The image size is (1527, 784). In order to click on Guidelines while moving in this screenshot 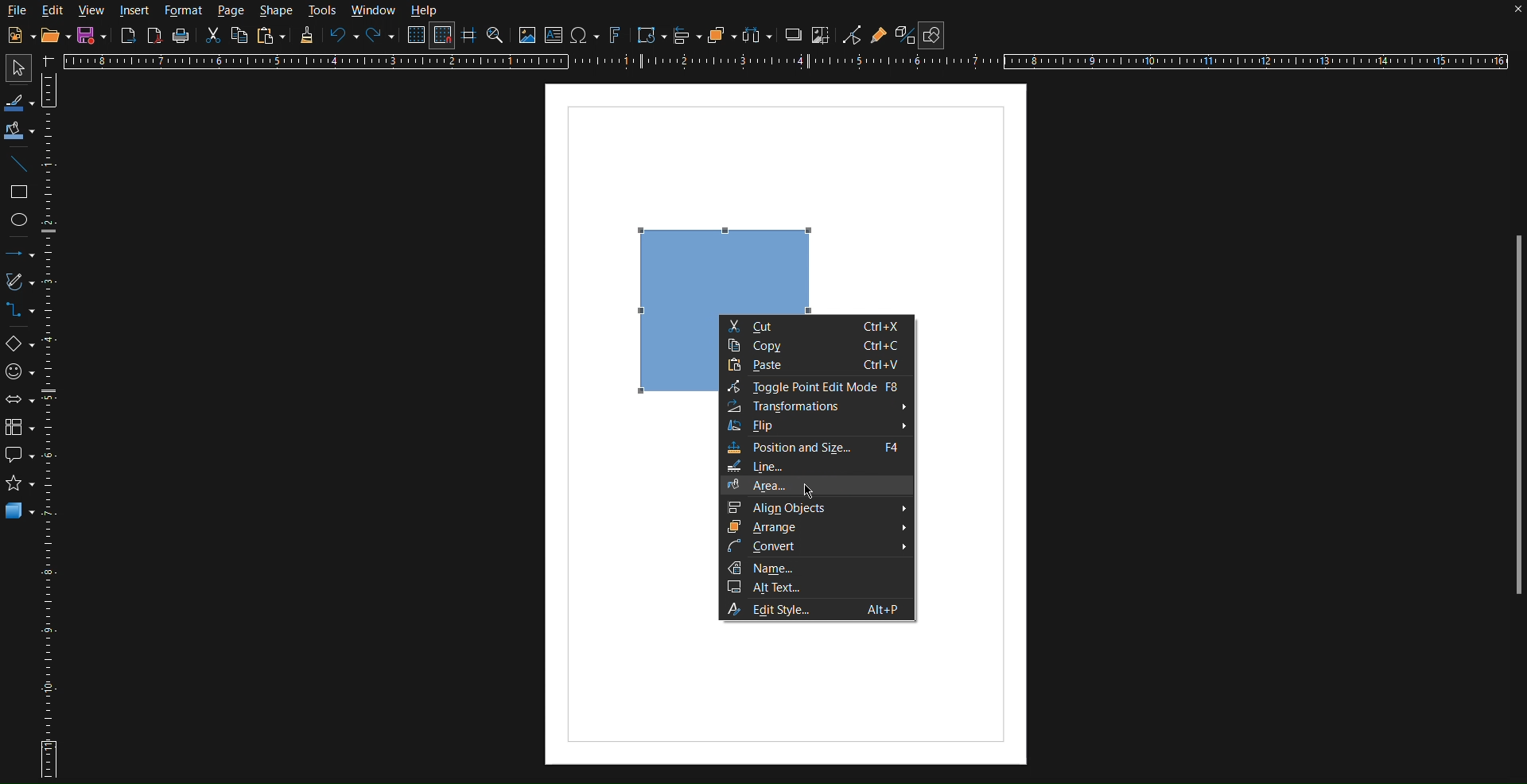, I will do `click(470, 37)`.